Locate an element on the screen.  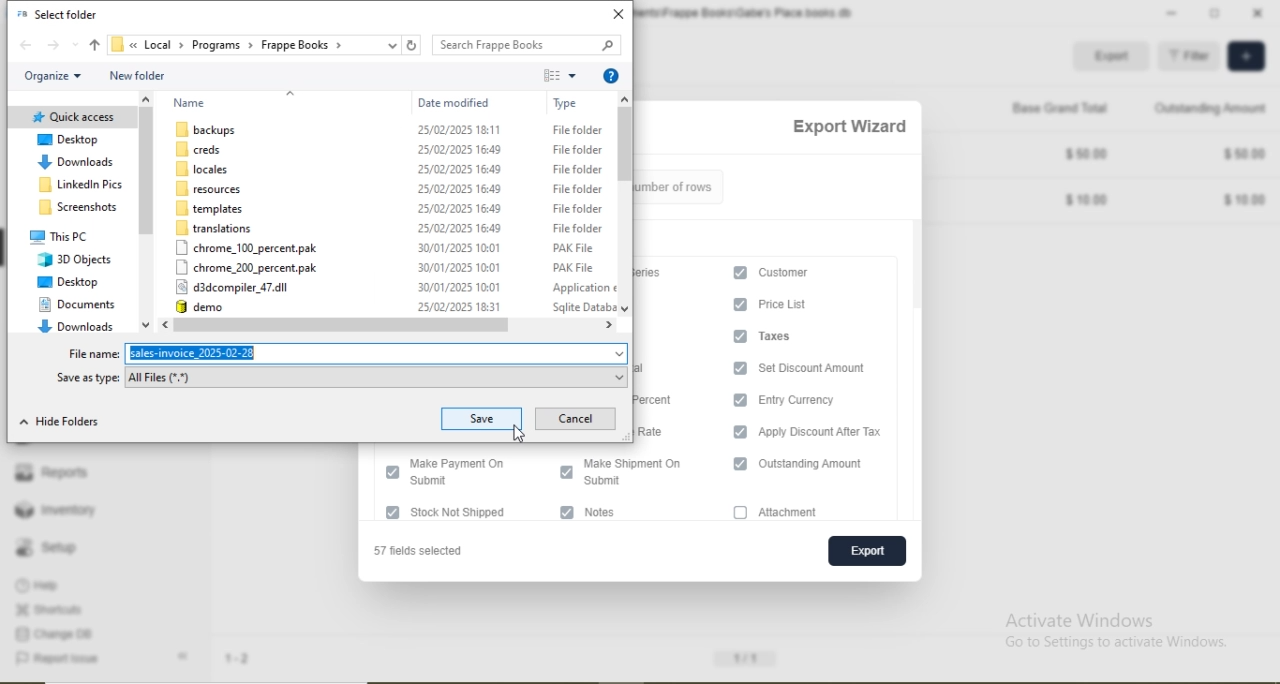
checkbox is located at coordinates (740, 400).